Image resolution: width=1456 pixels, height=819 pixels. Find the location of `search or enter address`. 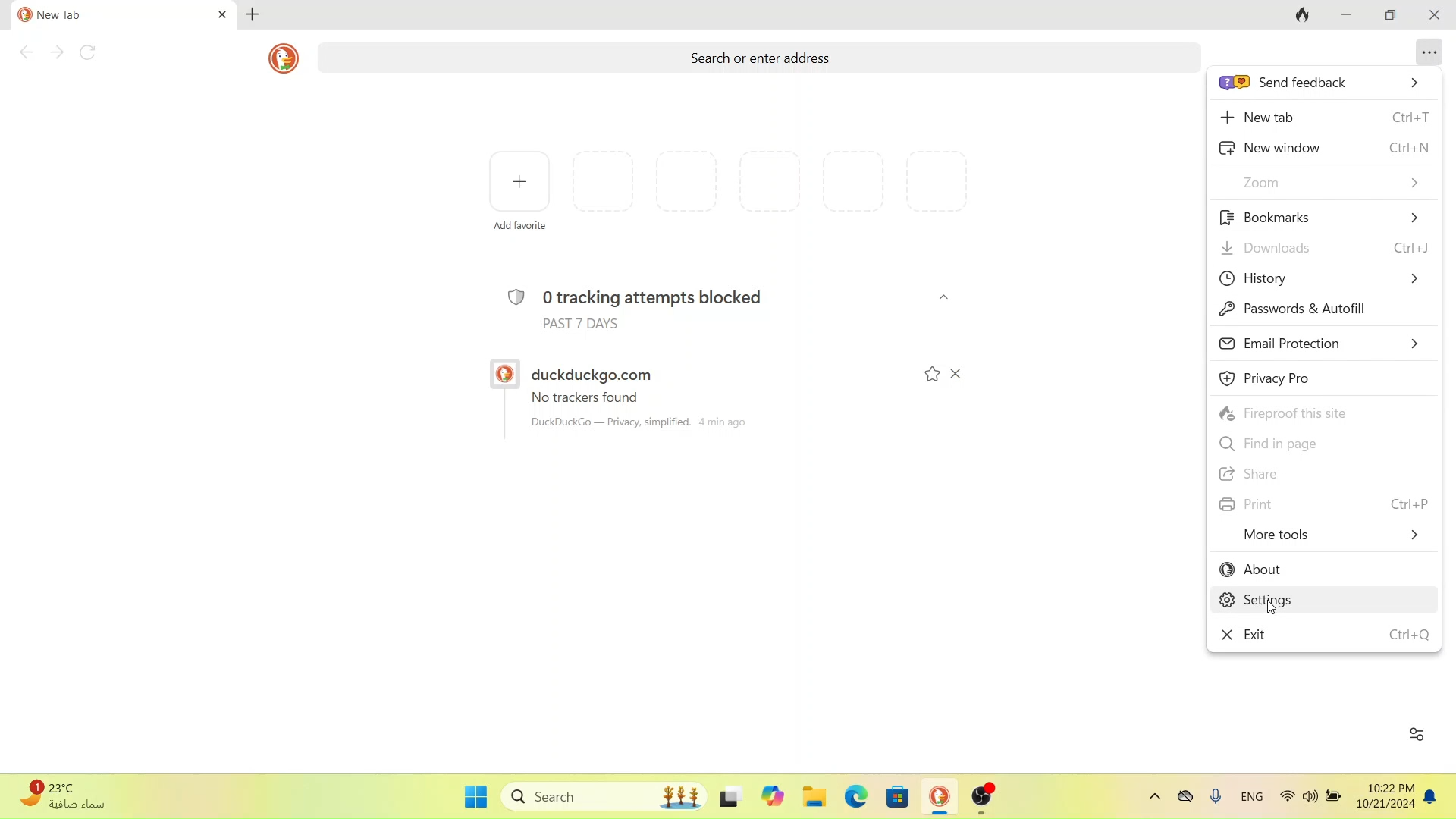

search or enter address is located at coordinates (734, 58).